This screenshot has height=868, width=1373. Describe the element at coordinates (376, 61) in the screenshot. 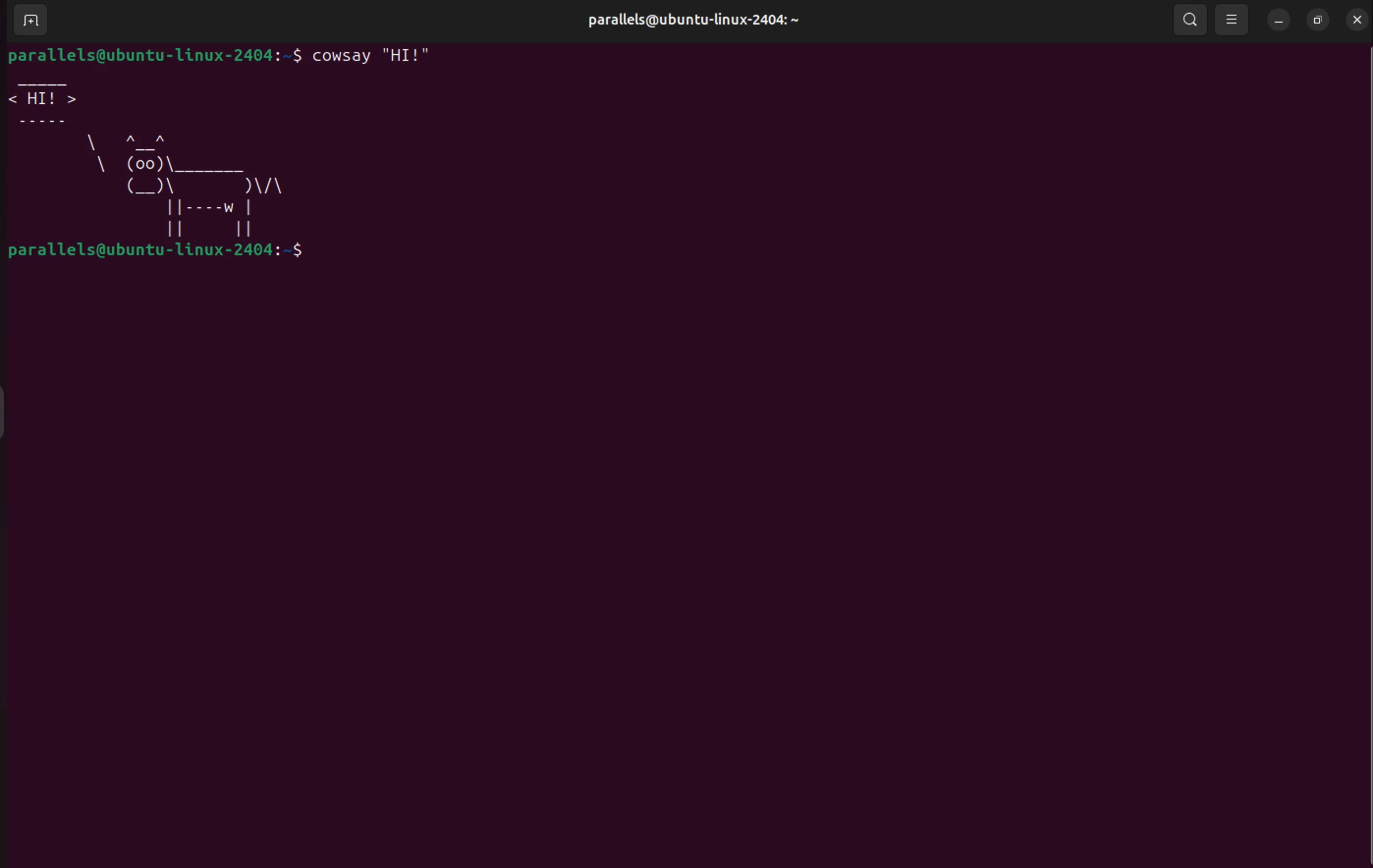

I see `cowsay "HI!"` at that location.